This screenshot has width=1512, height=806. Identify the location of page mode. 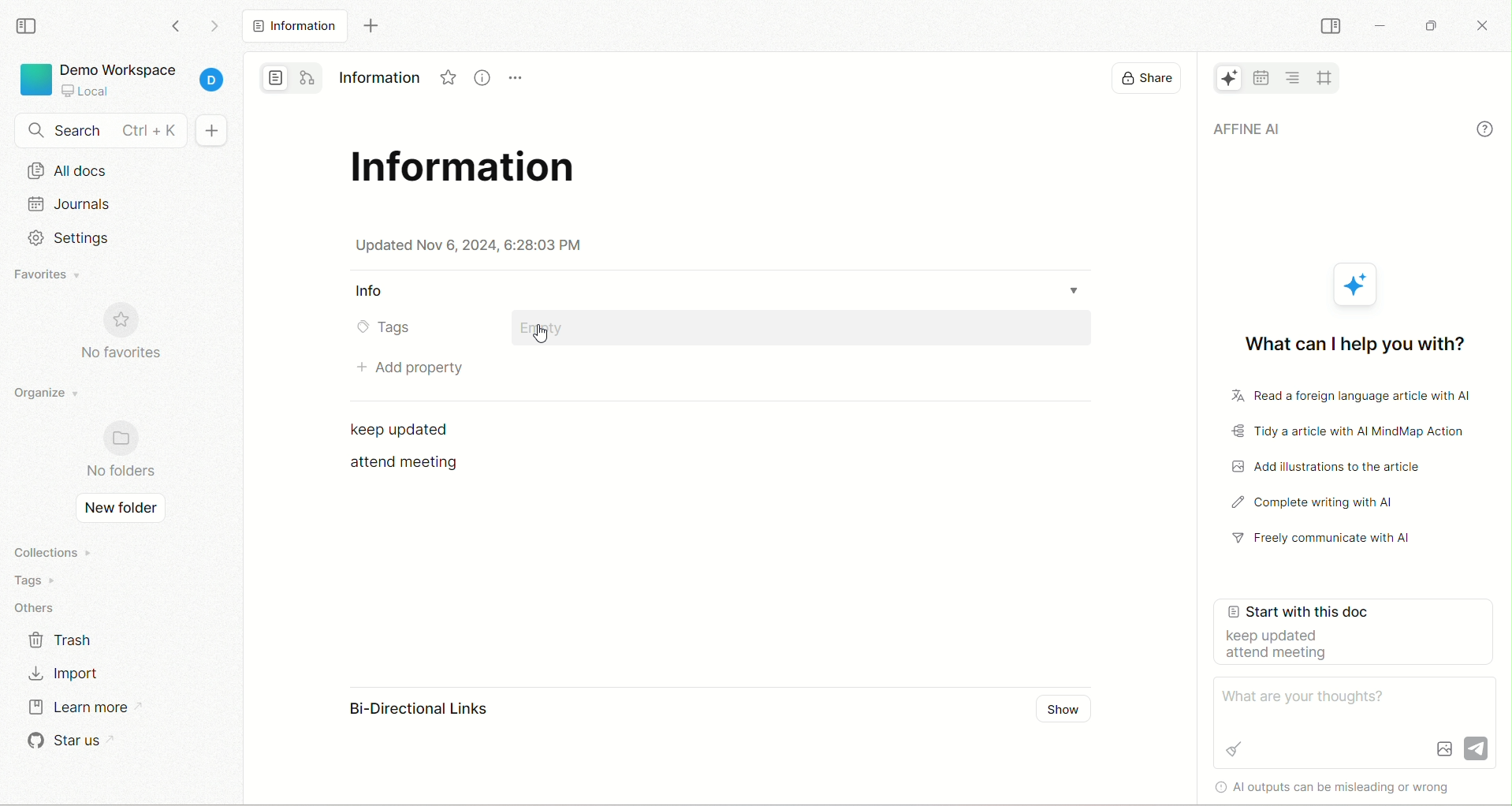
(274, 78).